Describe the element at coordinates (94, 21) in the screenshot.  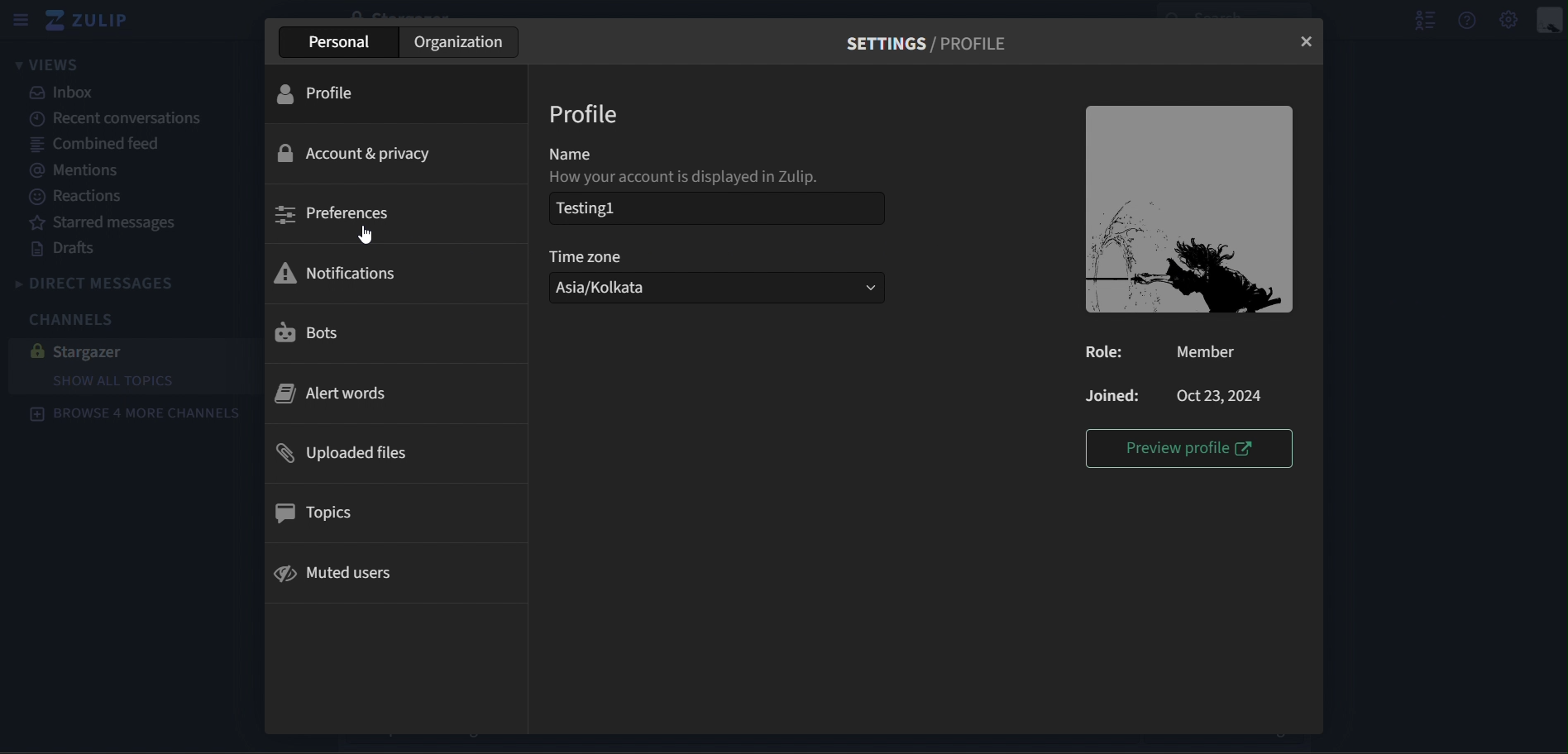
I see `zulip` at that location.